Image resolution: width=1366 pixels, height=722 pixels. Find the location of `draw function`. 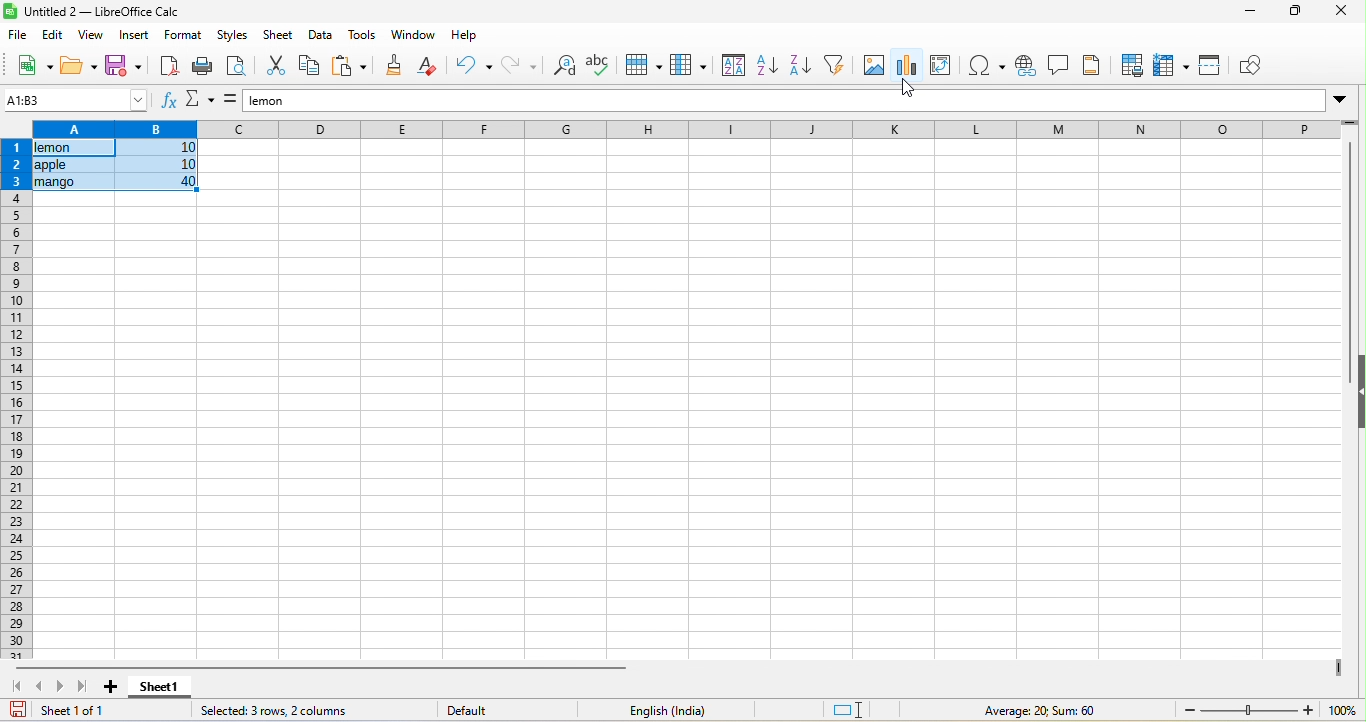

draw function is located at coordinates (1255, 66).